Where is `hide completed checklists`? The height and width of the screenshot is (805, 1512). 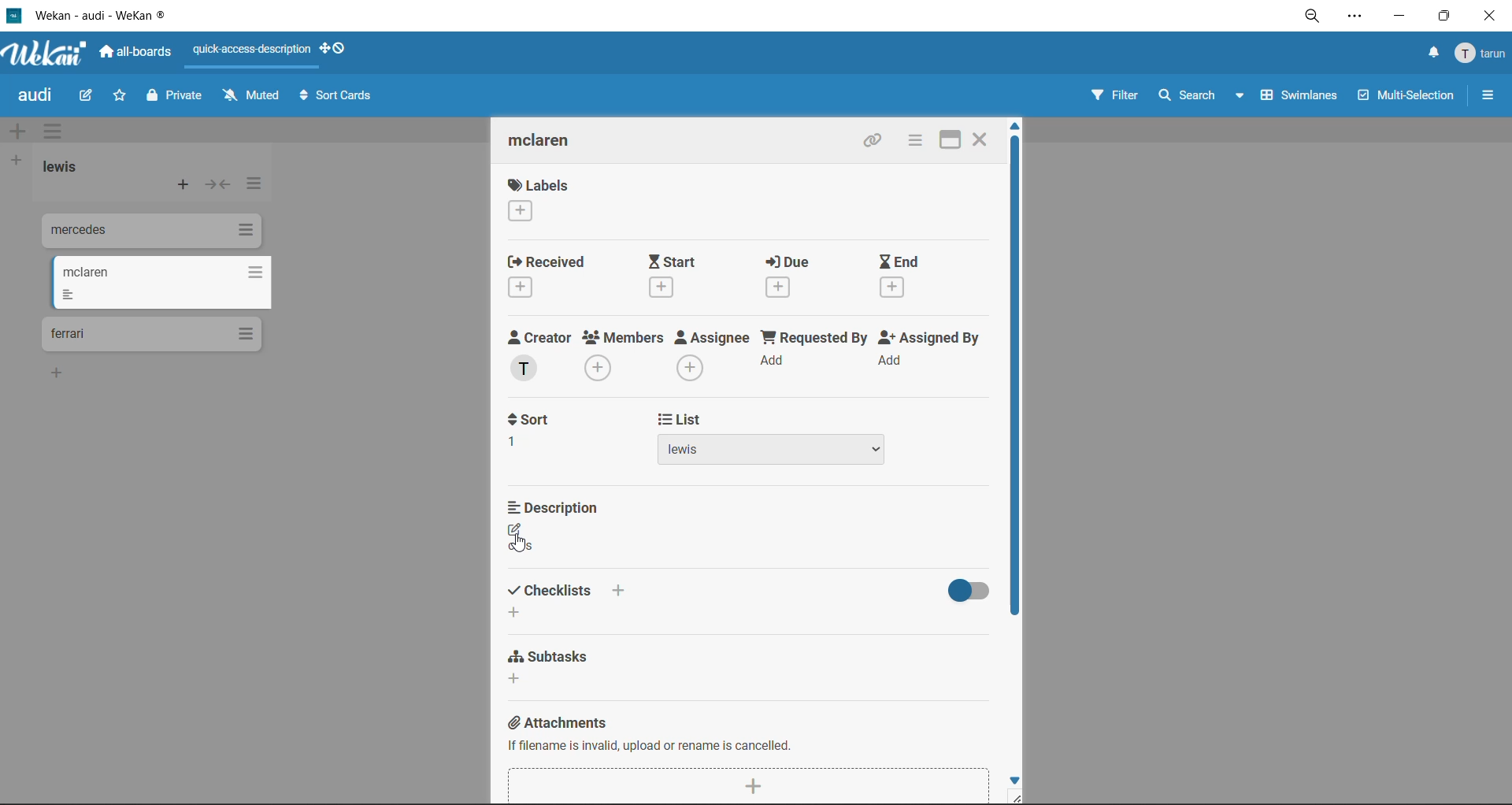
hide completed checklists is located at coordinates (962, 591).